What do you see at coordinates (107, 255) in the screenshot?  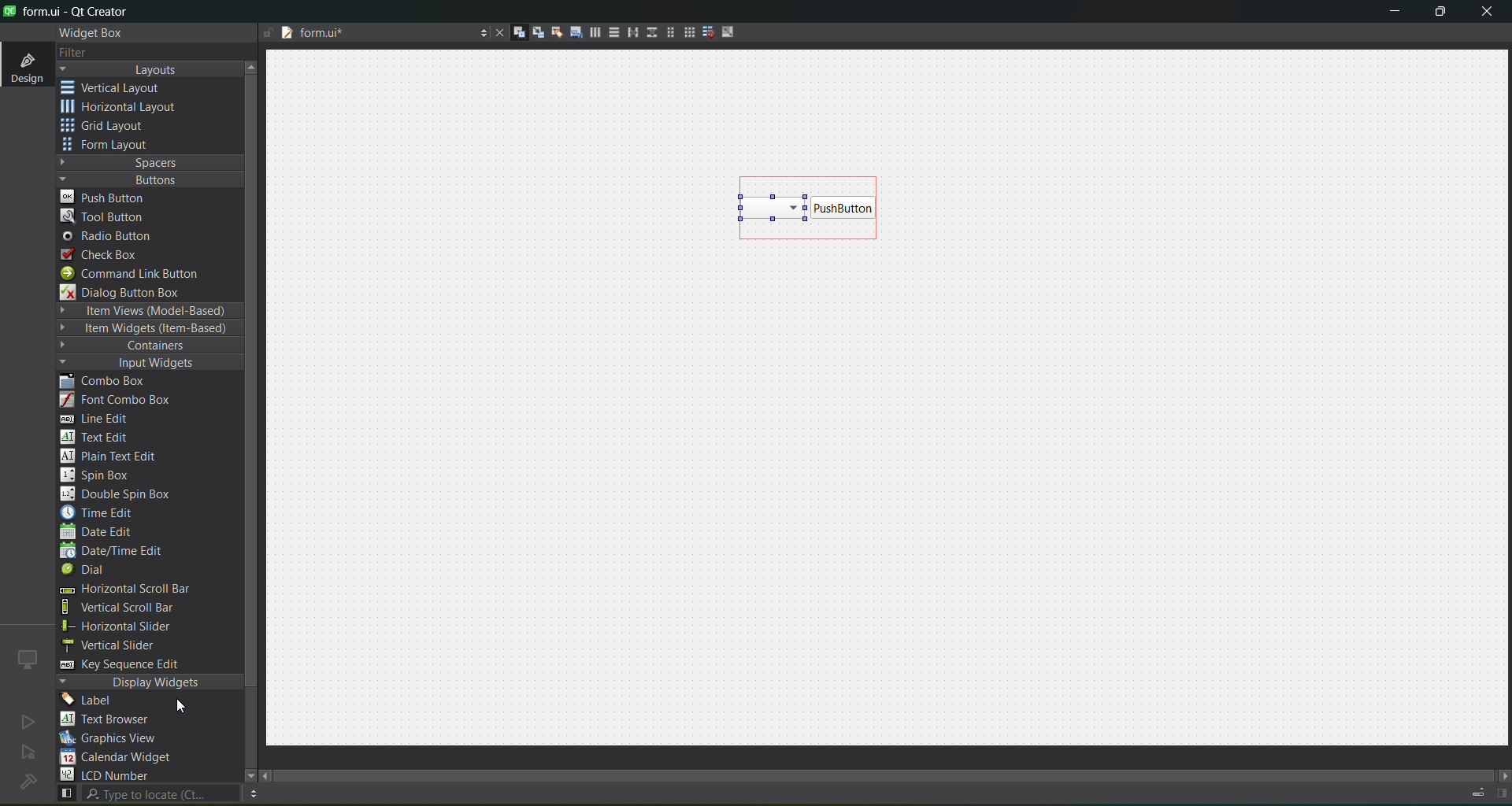 I see `check box` at bounding box center [107, 255].